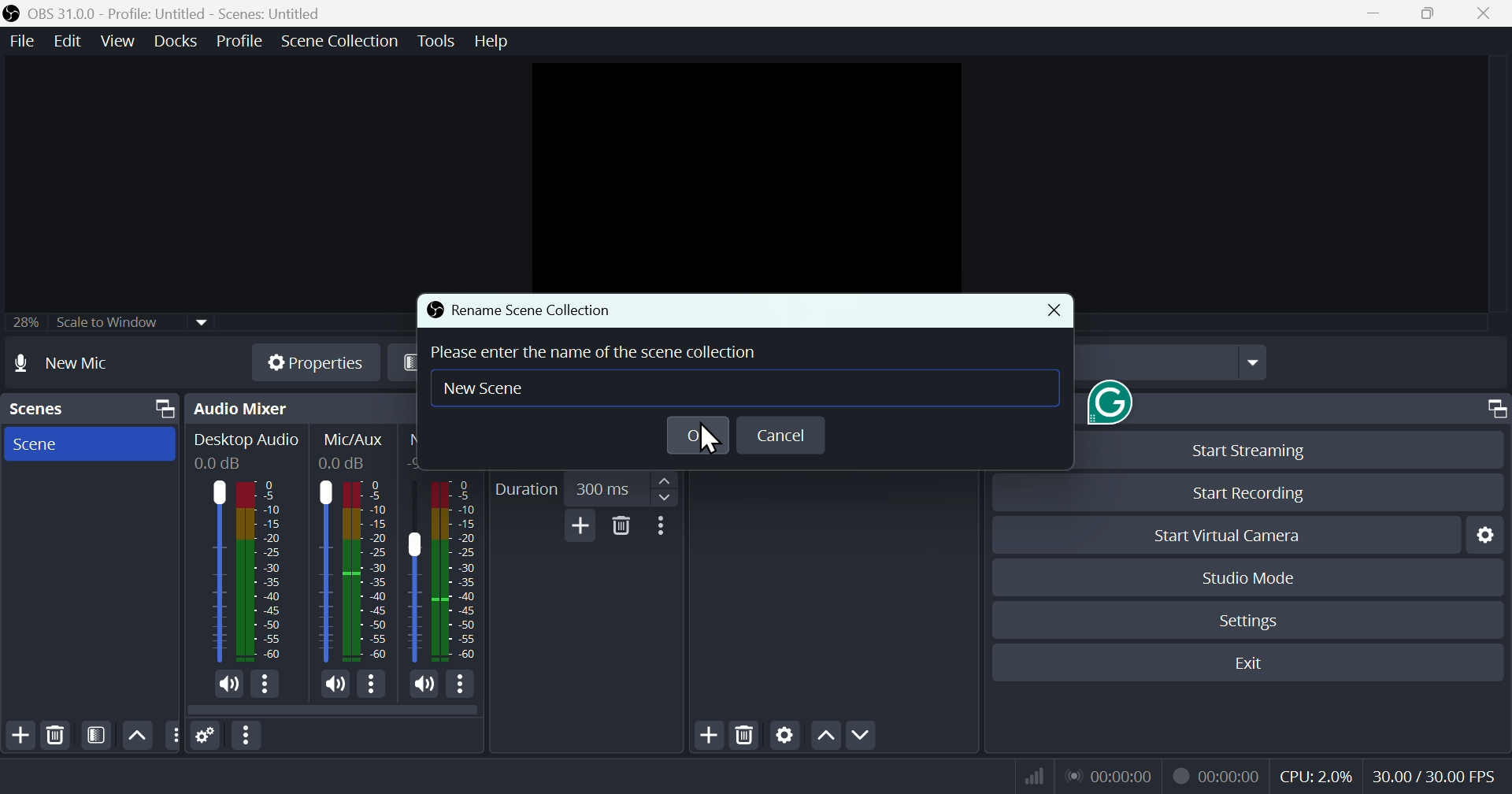 This screenshot has width=1512, height=794. What do you see at coordinates (367, 572) in the screenshot?
I see `Mic/Aux` at bounding box center [367, 572].